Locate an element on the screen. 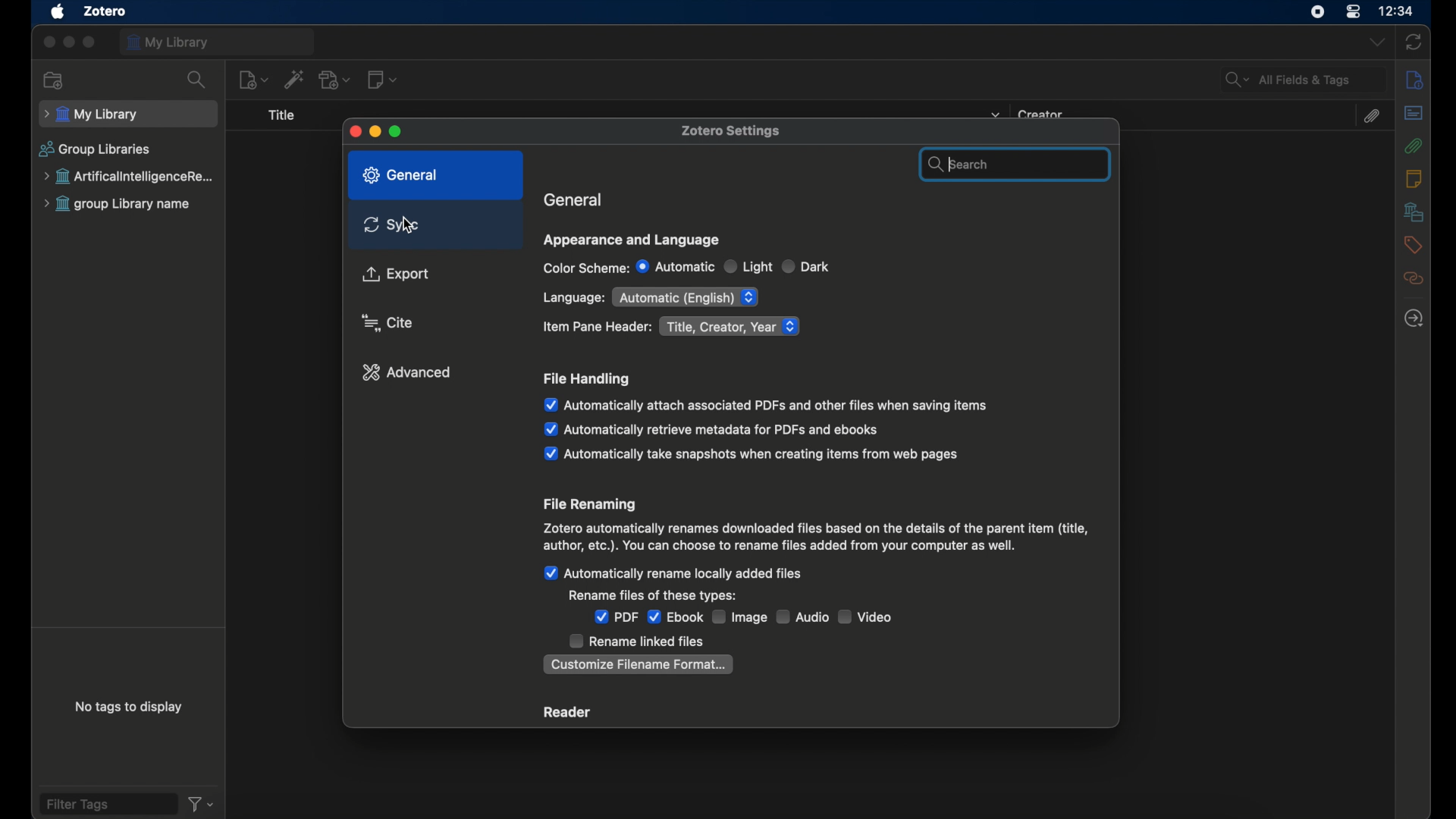  item pane header is located at coordinates (596, 328).